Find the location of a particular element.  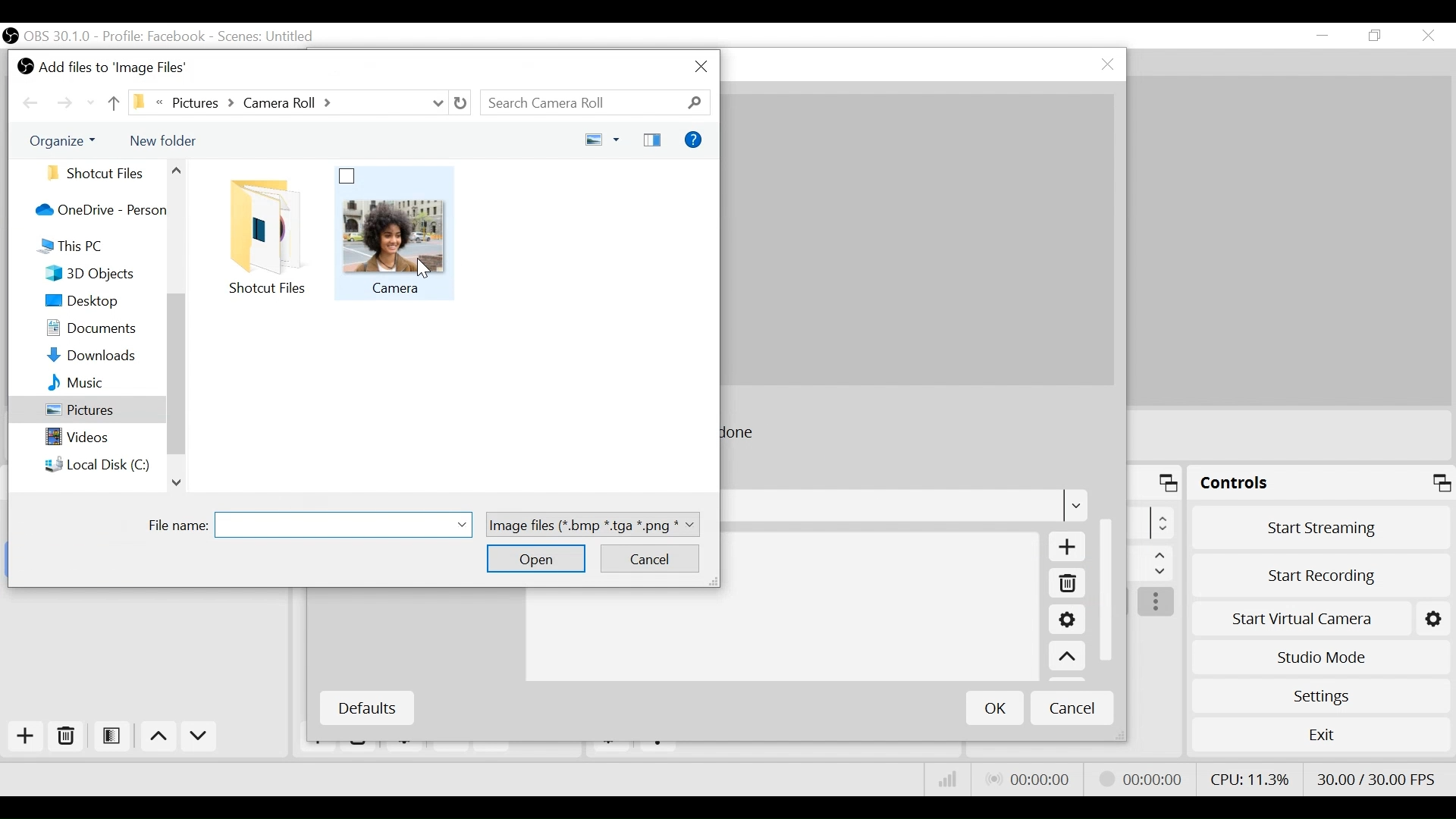

Change preview pane is located at coordinates (654, 138).